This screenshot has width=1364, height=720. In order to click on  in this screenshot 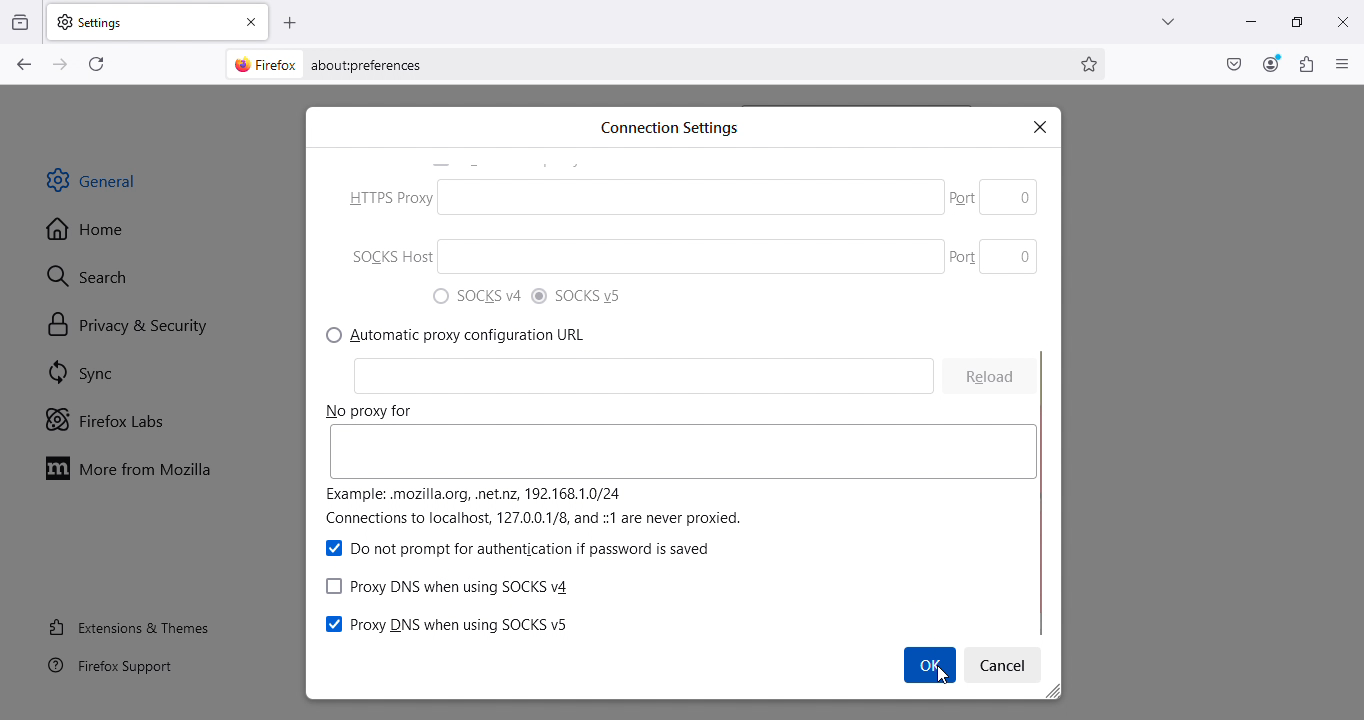, I will do `click(990, 196)`.